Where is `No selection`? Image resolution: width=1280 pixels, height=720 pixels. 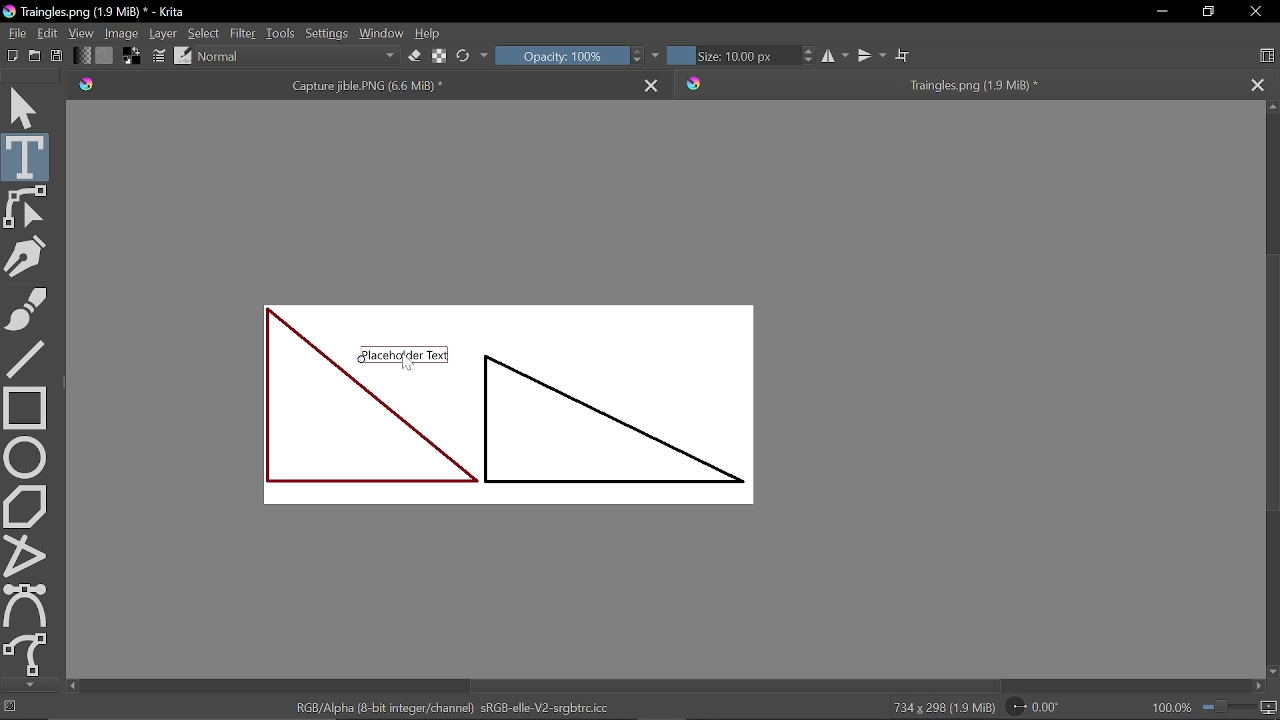
No selection is located at coordinates (11, 709).